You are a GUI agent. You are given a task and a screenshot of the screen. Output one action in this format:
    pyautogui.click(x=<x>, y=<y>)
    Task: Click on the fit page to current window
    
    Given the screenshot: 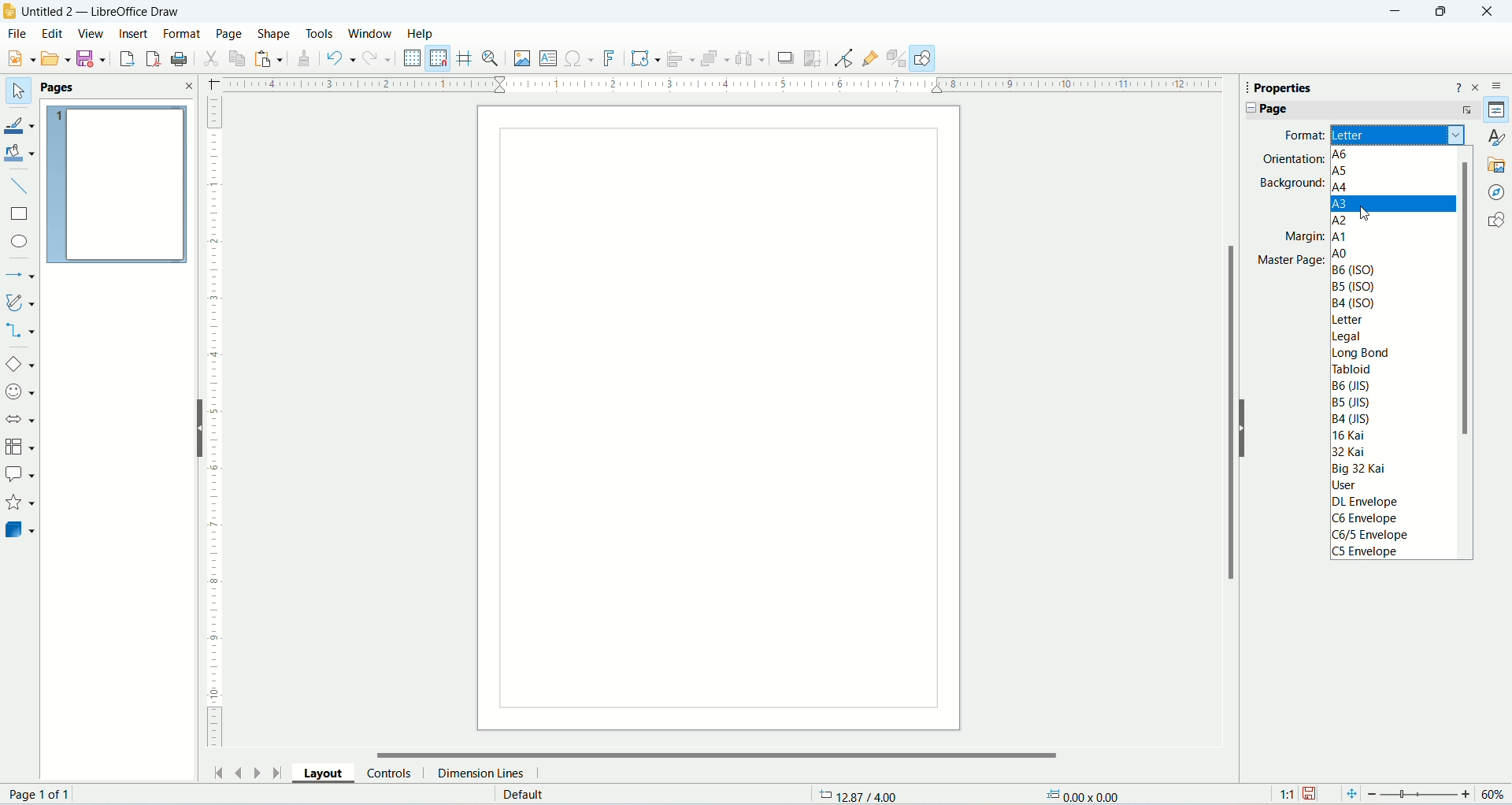 What is the action you would take?
    pyautogui.click(x=1350, y=794)
    